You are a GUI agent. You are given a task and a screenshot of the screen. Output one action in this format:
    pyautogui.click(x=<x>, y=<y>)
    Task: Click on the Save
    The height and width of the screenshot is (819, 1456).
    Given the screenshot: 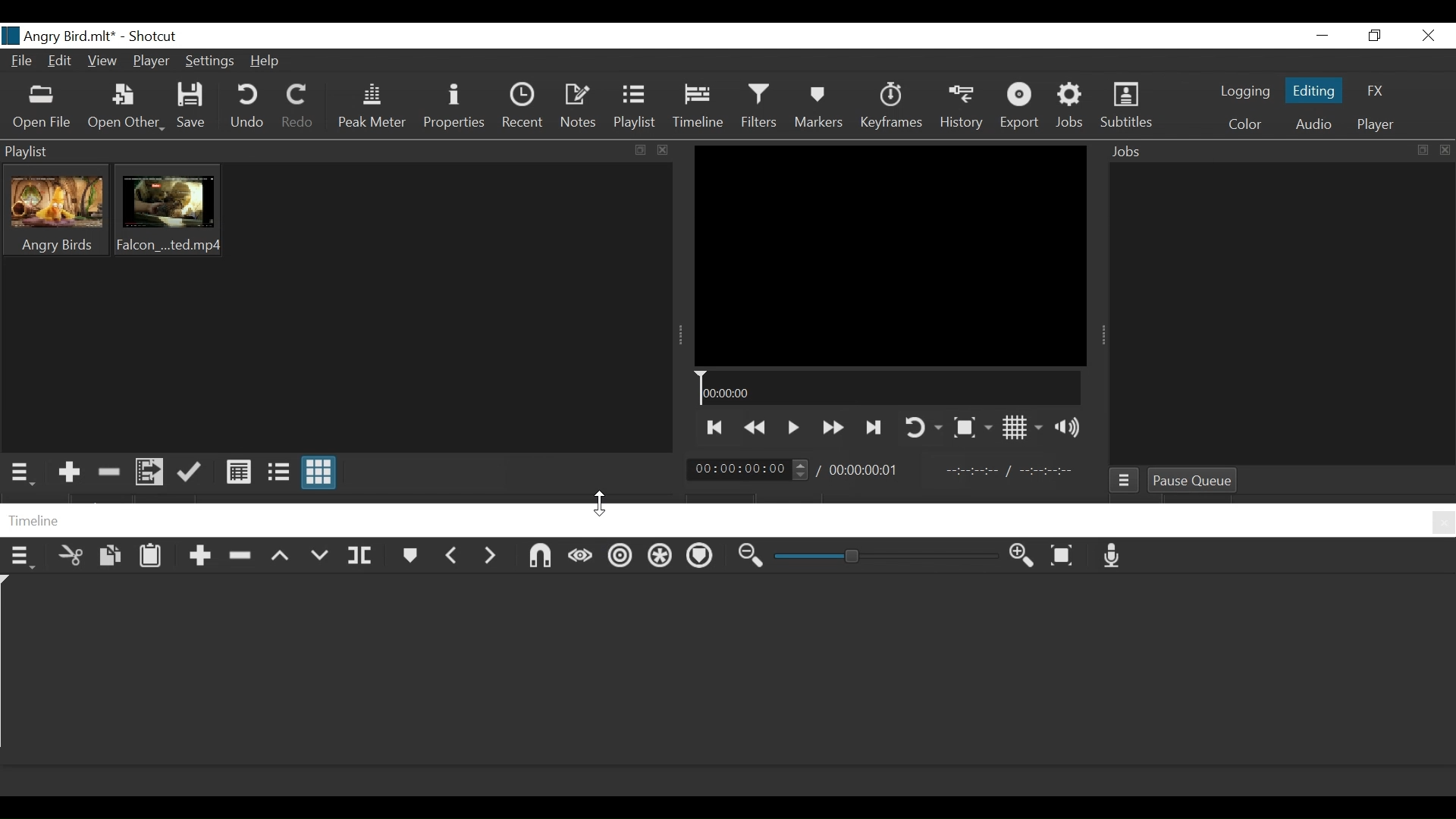 What is the action you would take?
    pyautogui.click(x=195, y=106)
    